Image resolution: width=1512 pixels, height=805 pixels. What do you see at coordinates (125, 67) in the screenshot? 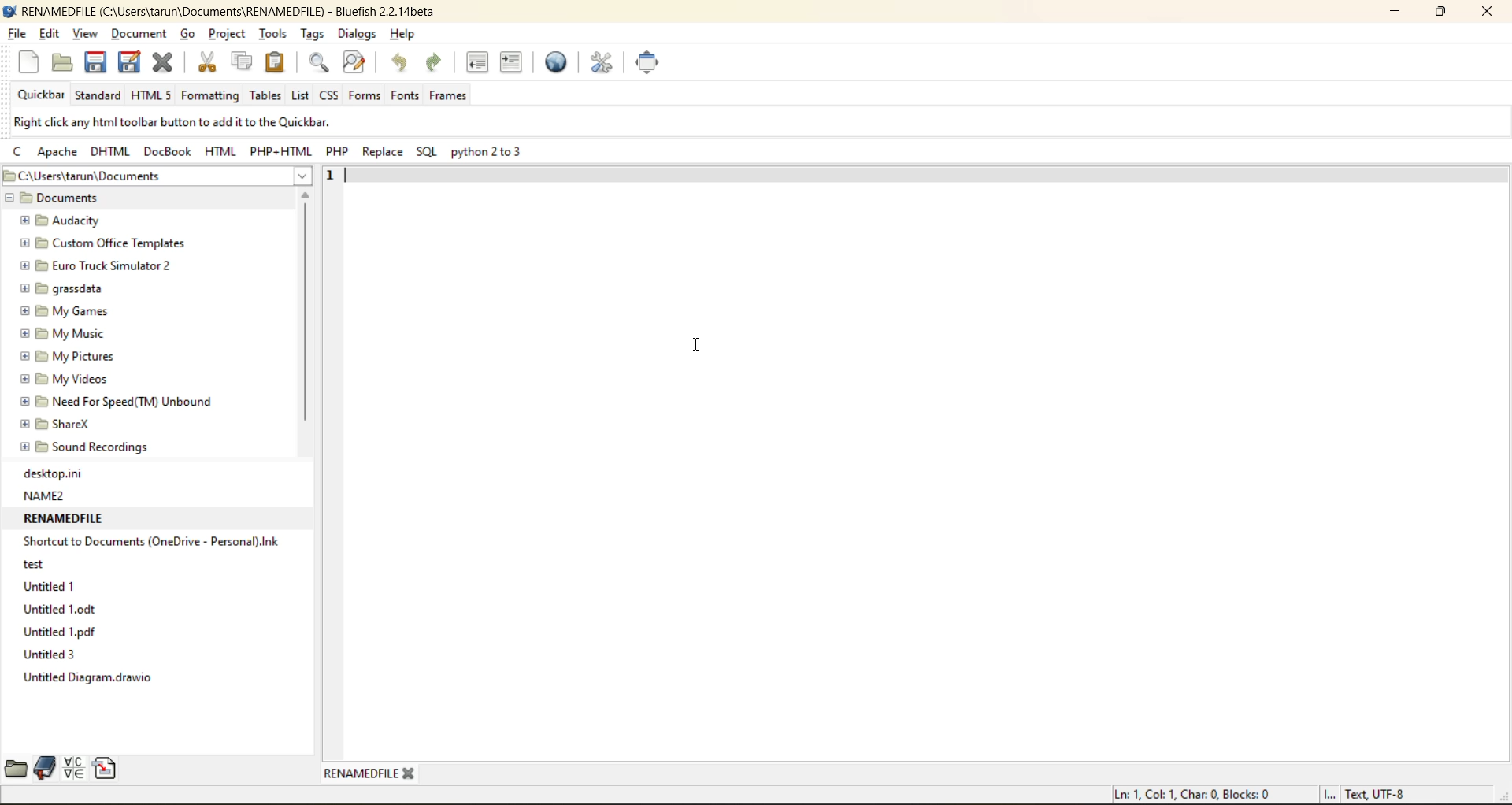
I see `save as` at bounding box center [125, 67].